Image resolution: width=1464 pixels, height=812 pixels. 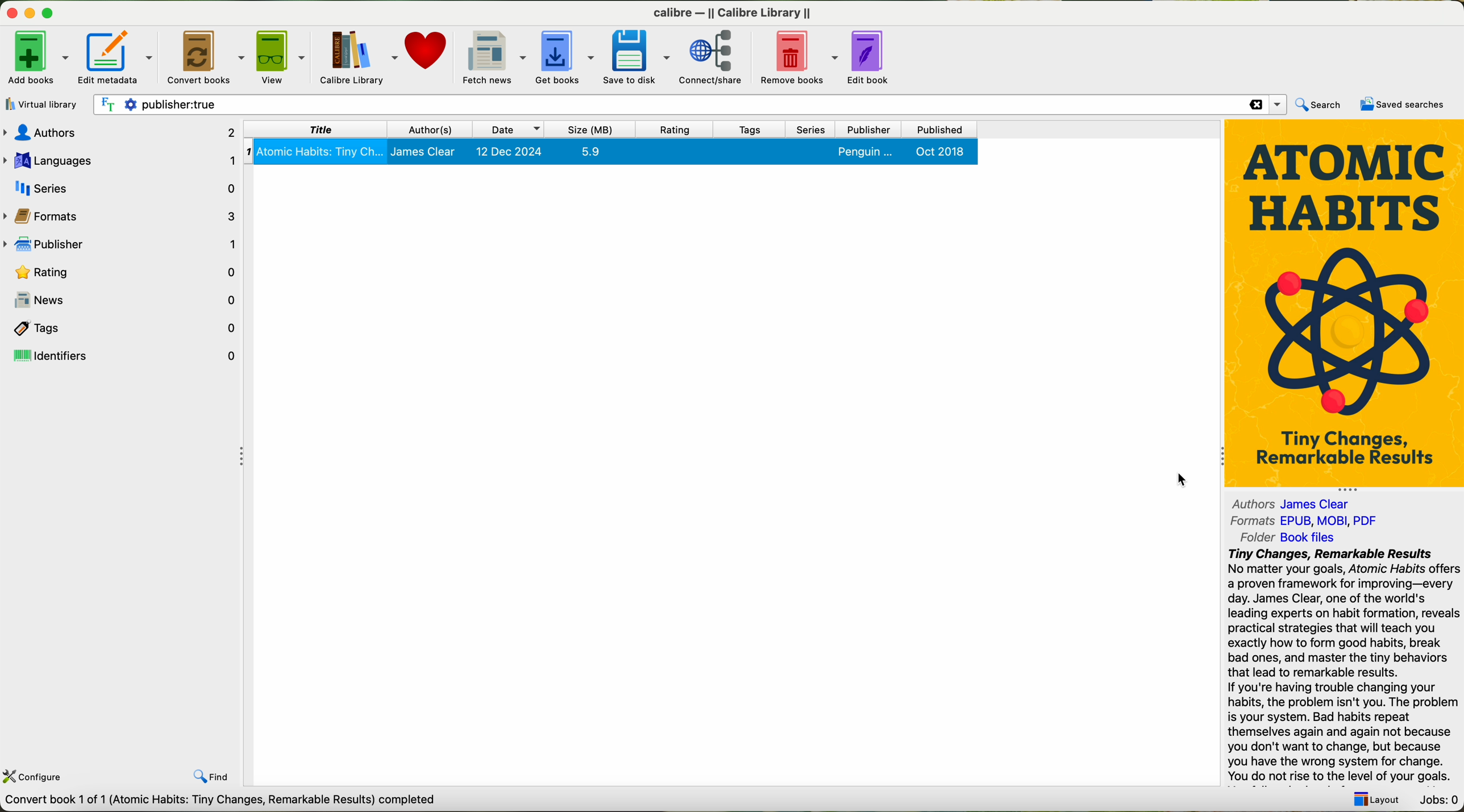 What do you see at coordinates (714, 56) in the screenshot?
I see `connect/share` at bounding box center [714, 56].